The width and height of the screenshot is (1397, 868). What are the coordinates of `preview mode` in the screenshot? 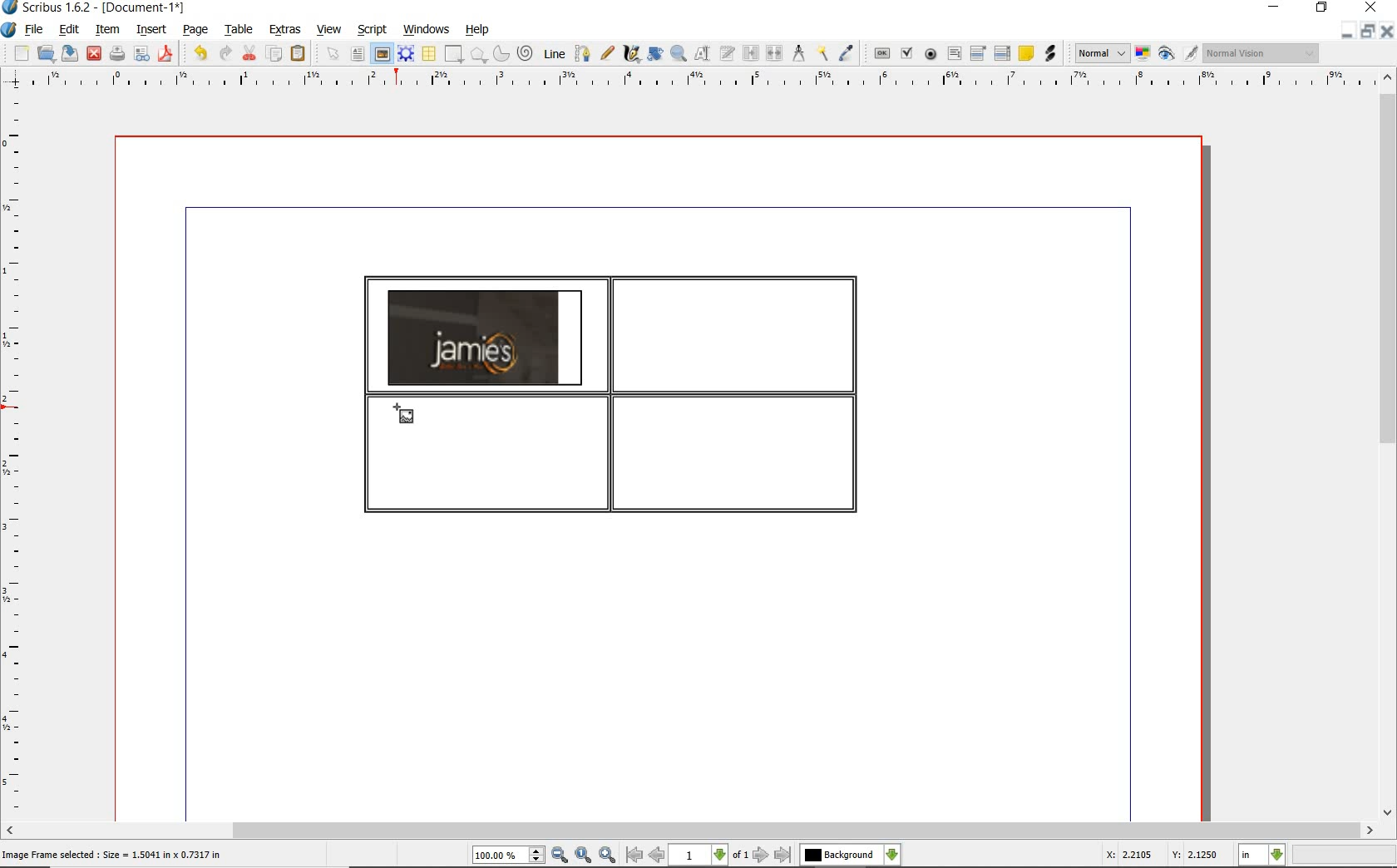 It's located at (1167, 55).